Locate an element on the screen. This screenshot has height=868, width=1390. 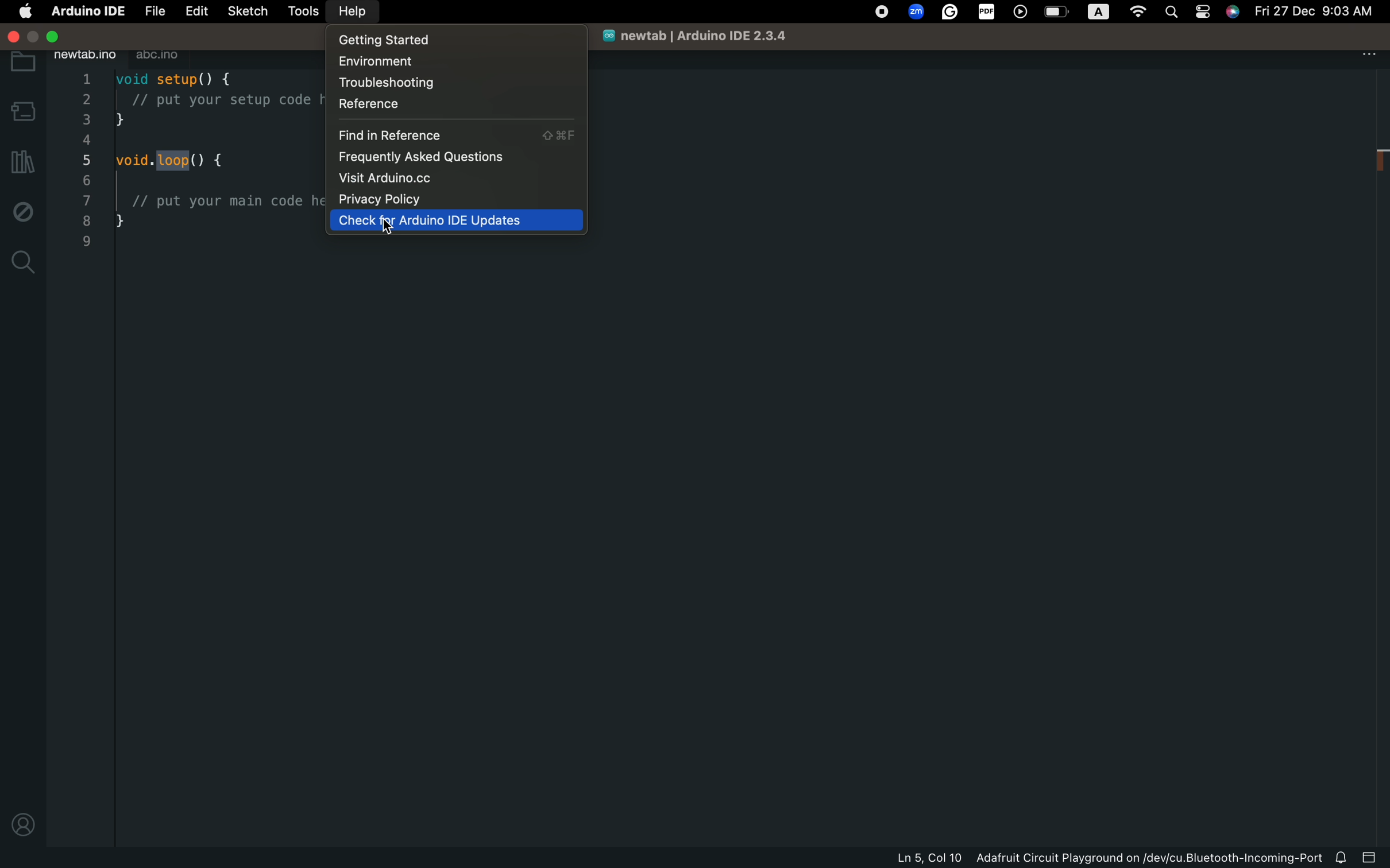
board manager is located at coordinates (24, 110).